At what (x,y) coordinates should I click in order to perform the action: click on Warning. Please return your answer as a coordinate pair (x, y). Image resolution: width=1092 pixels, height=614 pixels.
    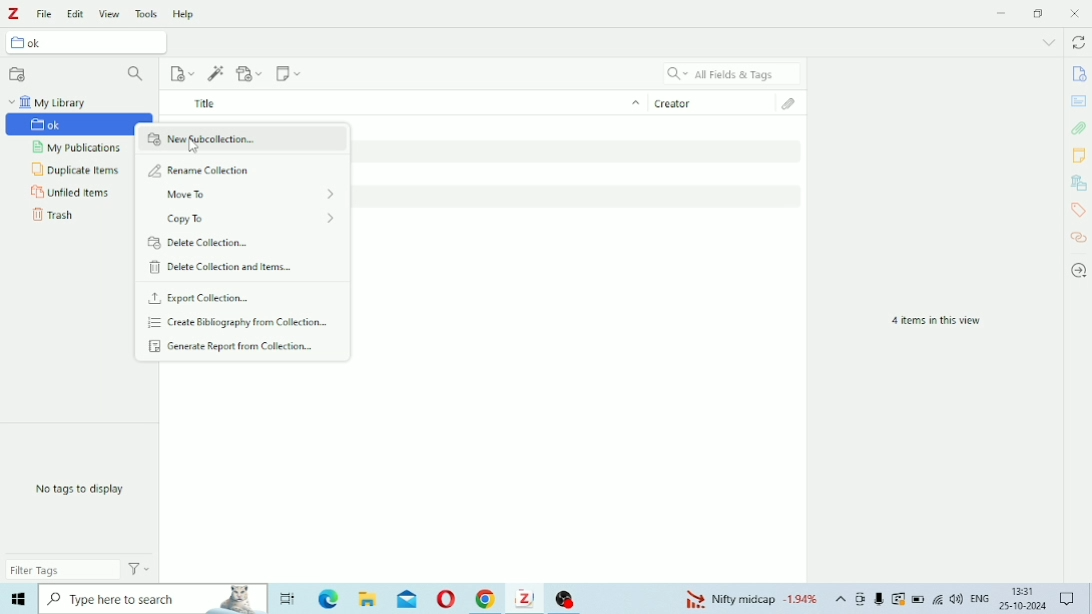
    Looking at the image, I should click on (899, 599).